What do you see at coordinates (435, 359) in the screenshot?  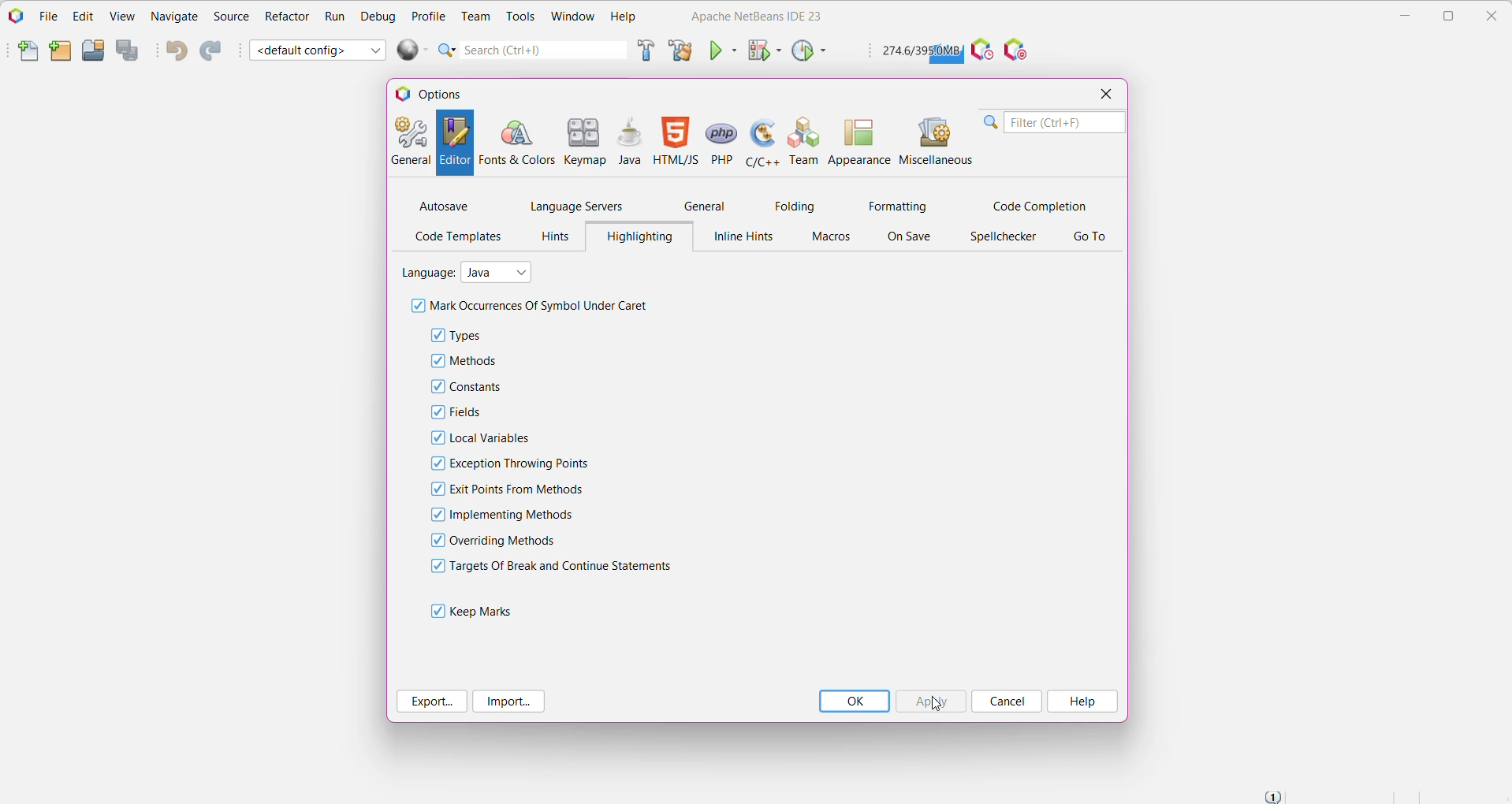 I see `checkbox` at bounding box center [435, 359].